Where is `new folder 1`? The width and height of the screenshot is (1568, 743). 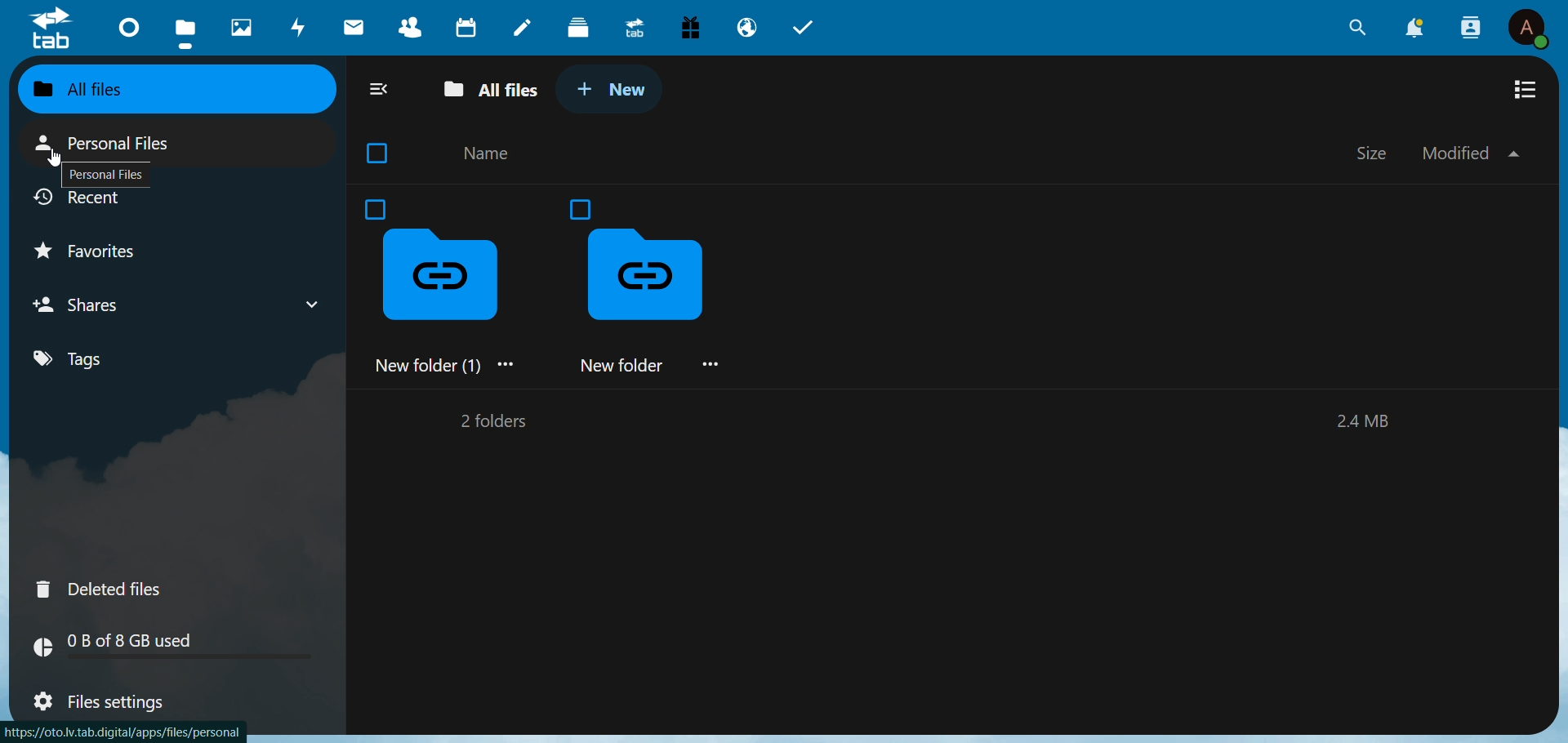 new folder 1 is located at coordinates (443, 283).